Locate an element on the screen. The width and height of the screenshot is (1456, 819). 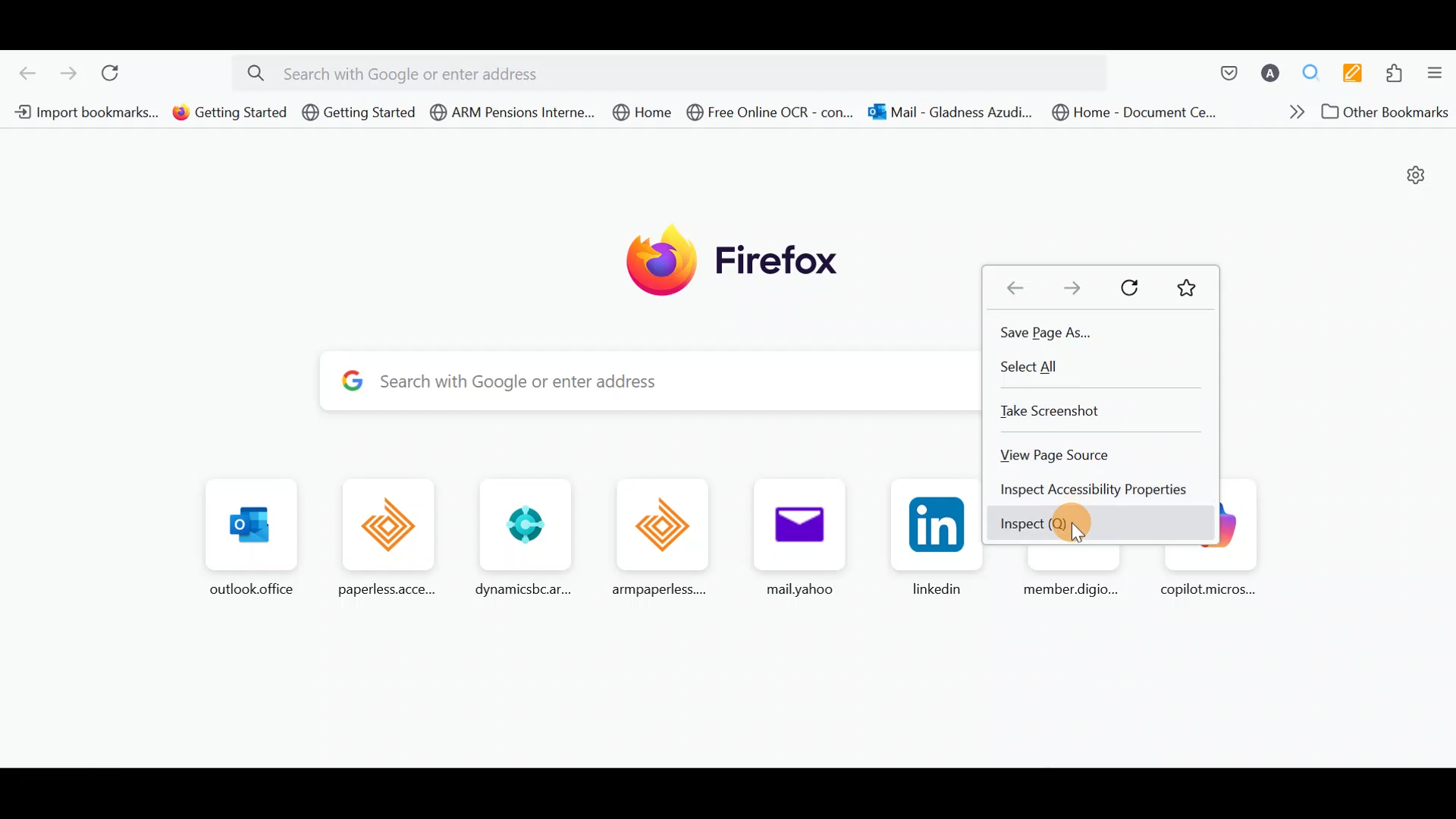
Firefox logo is located at coordinates (738, 265).